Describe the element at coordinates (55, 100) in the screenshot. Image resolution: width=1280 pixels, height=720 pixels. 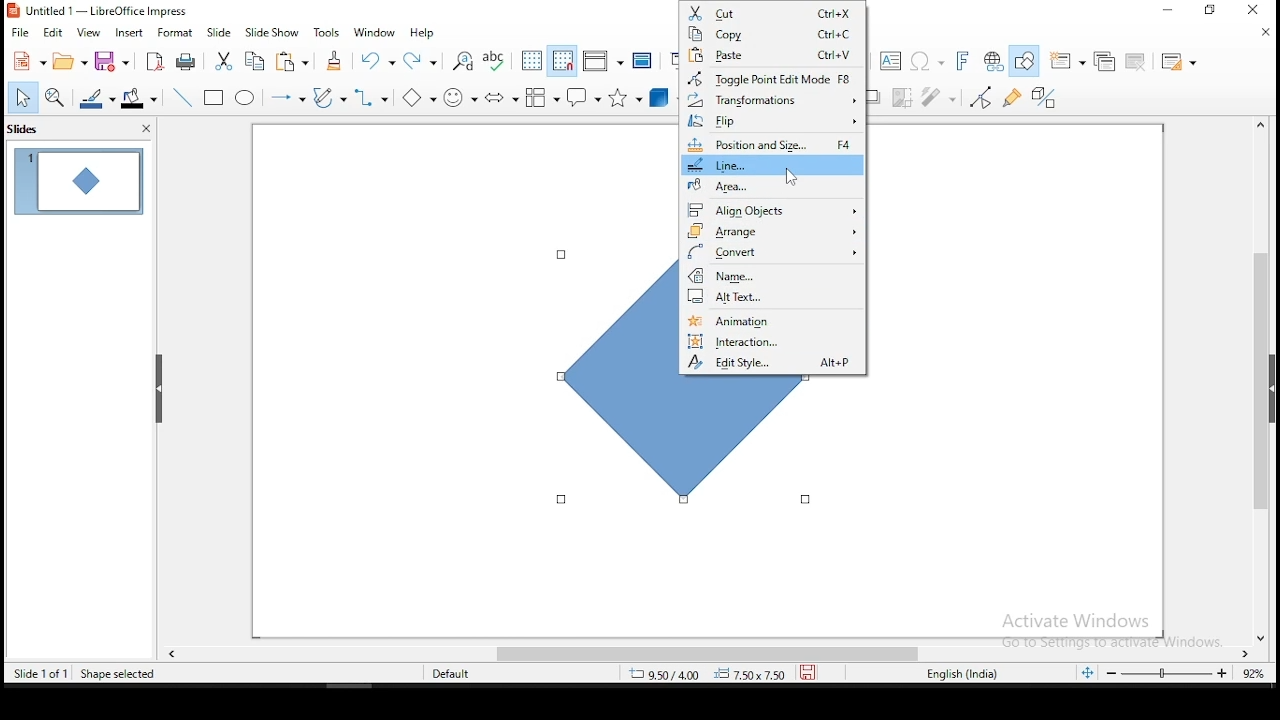
I see `zoom and pan` at that location.